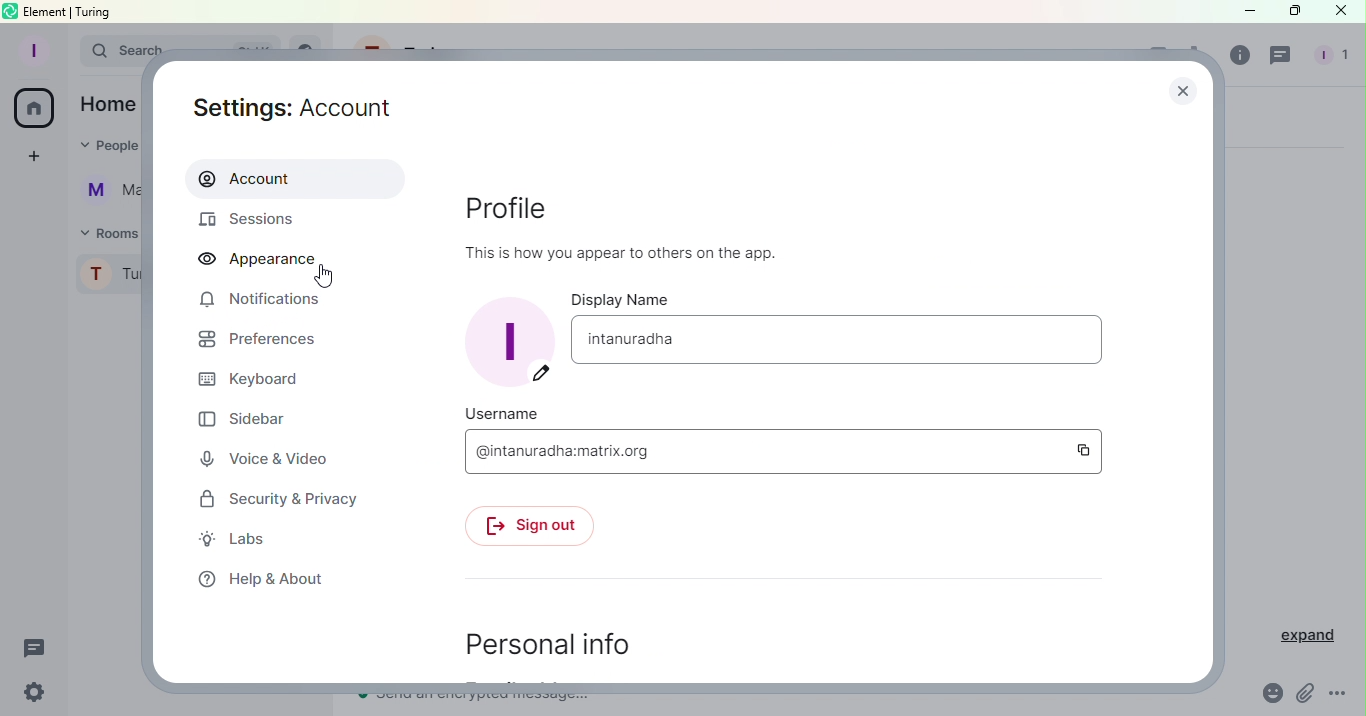 The width and height of the screenshot is (1366, 716). Describe the element at coordinates (1269, 695) in the screenshot. I see `Emoji` at that location.